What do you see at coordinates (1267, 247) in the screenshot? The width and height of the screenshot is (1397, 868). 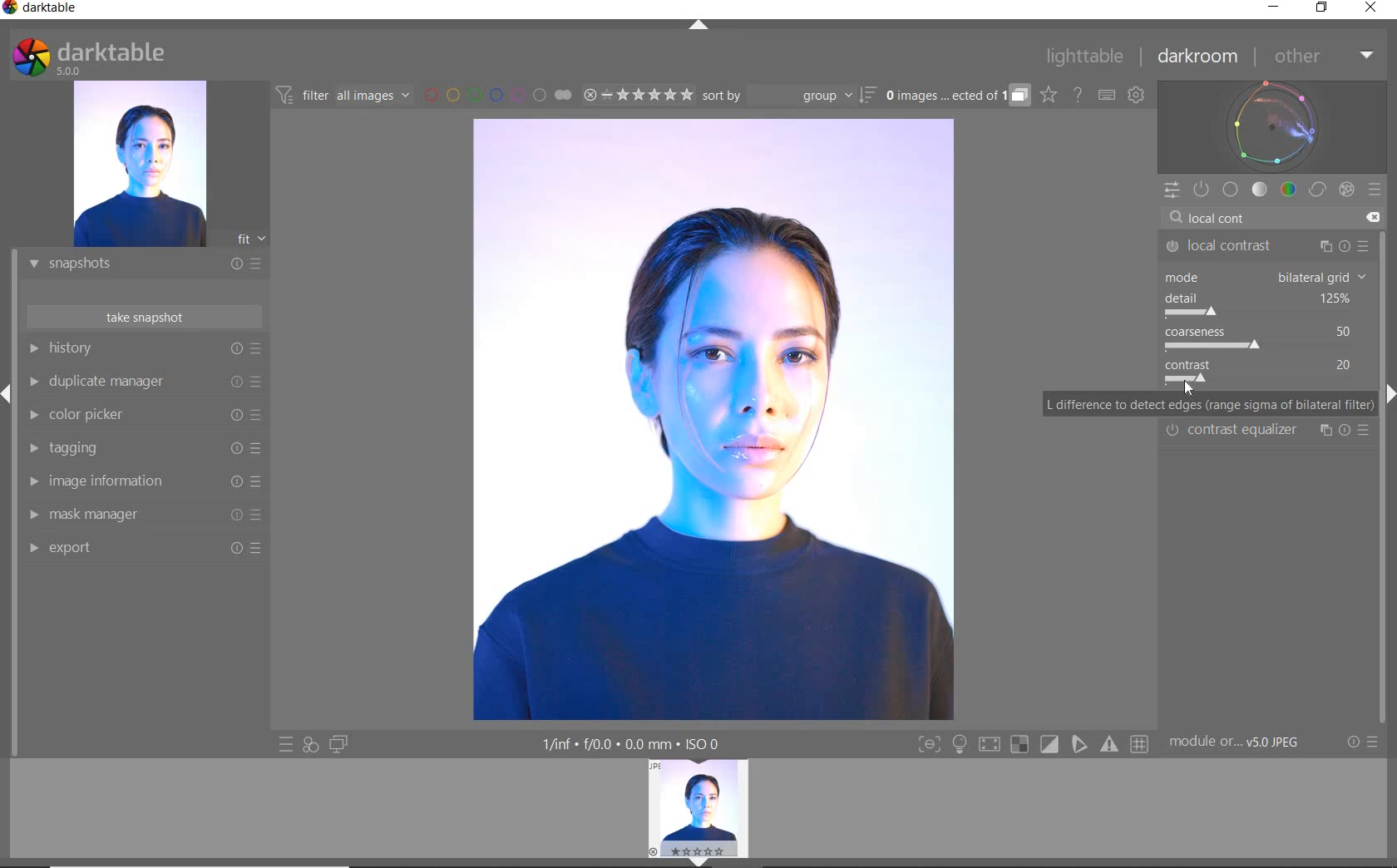 I see `LOCAL CONTRAST` at bounding box center [1267, 247].